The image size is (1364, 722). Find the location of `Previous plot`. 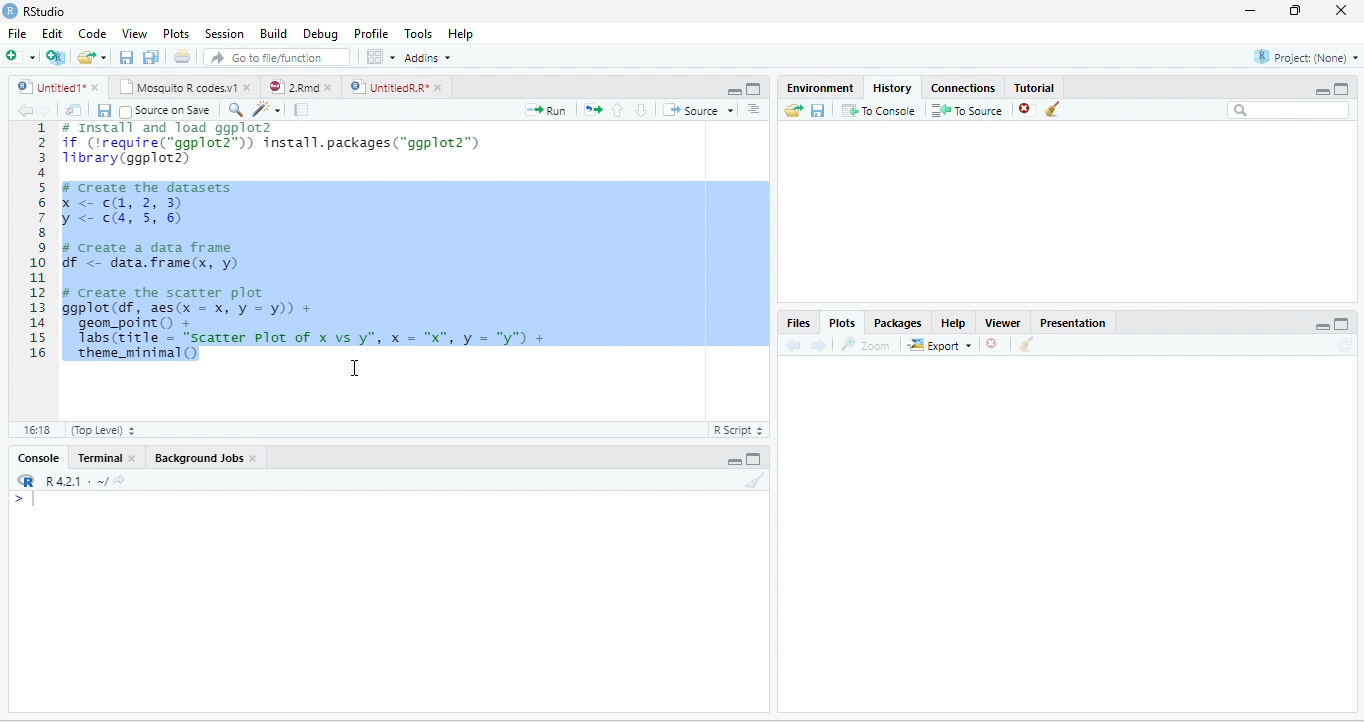

Previous plot is located at coordinates (794, 345).